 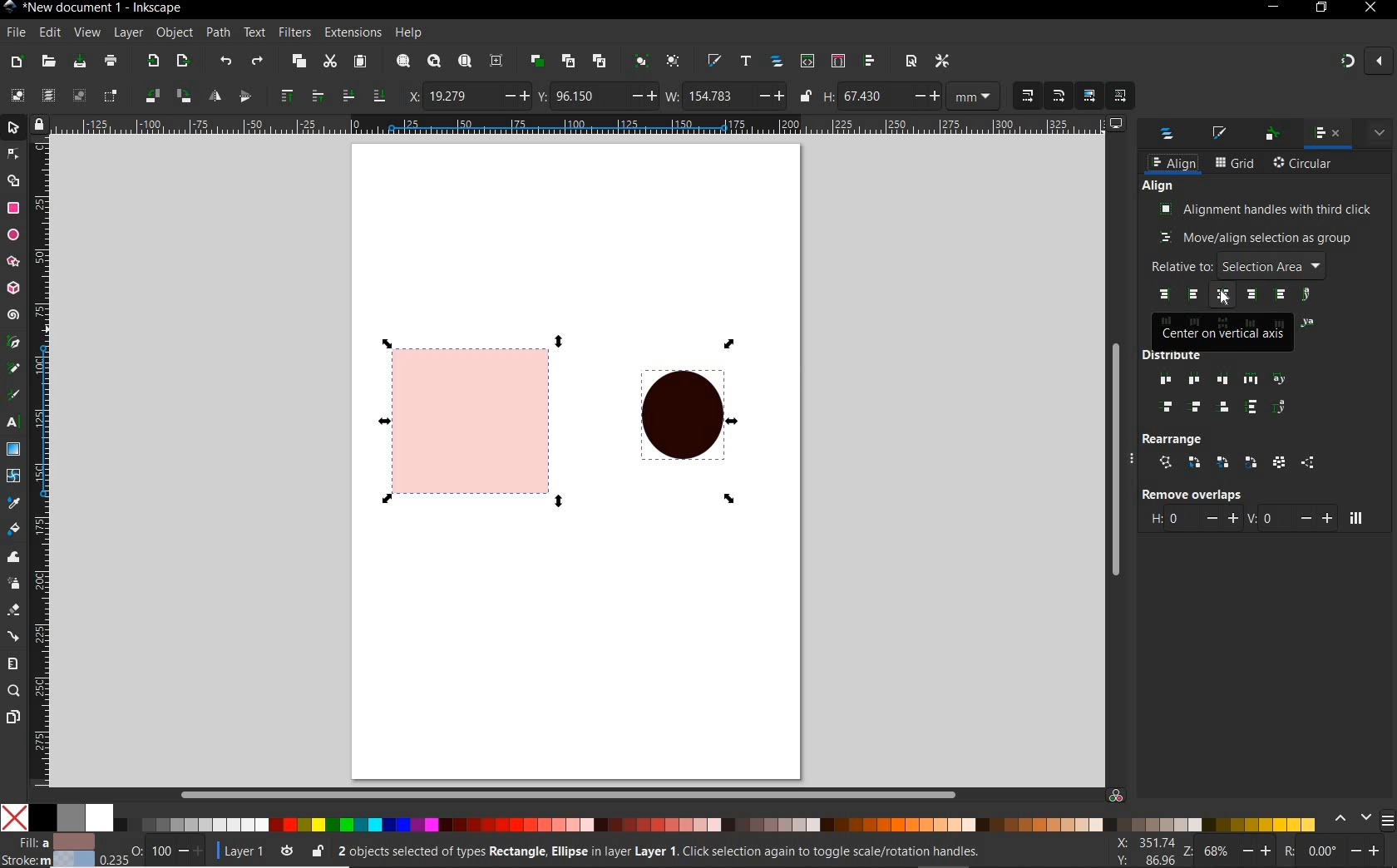 I want to click on object flip 90 clockwise, so click(x=165, y=95).